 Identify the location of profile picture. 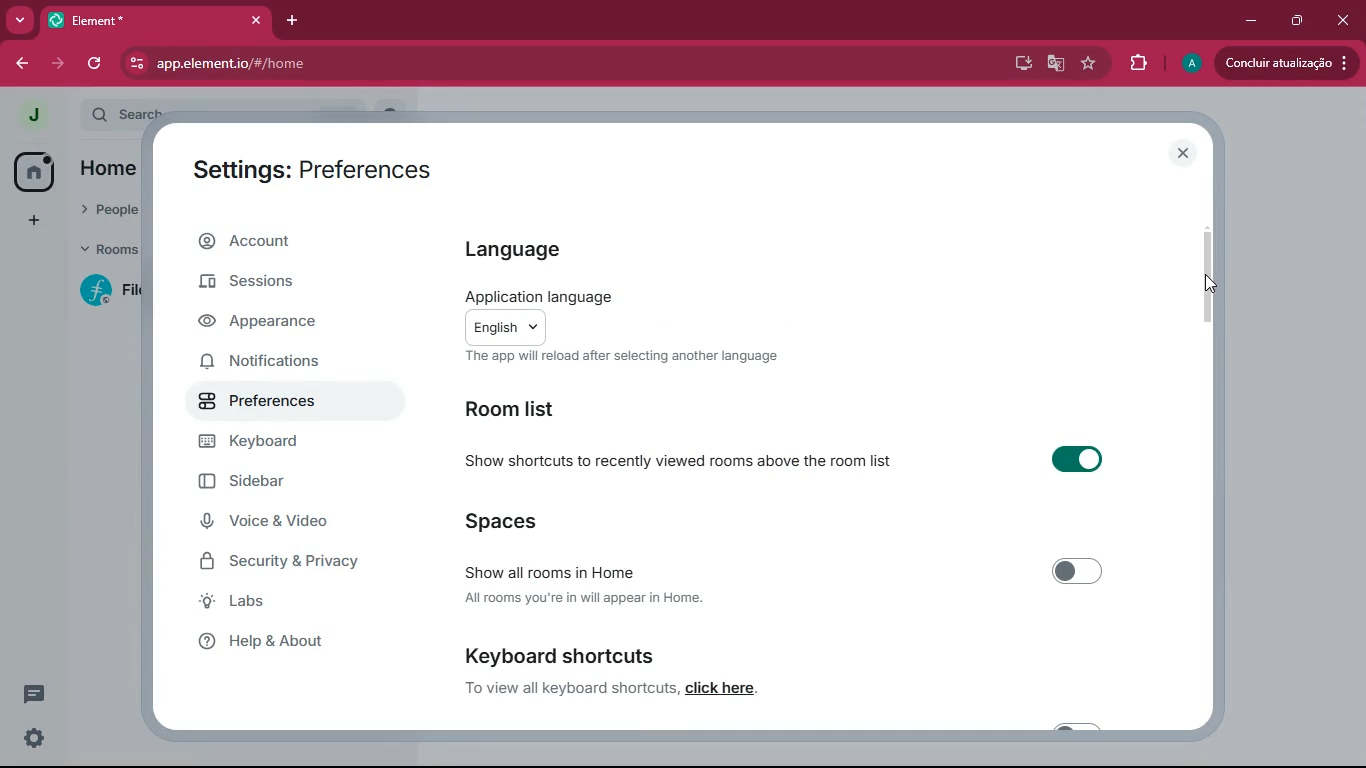
(33, 115).